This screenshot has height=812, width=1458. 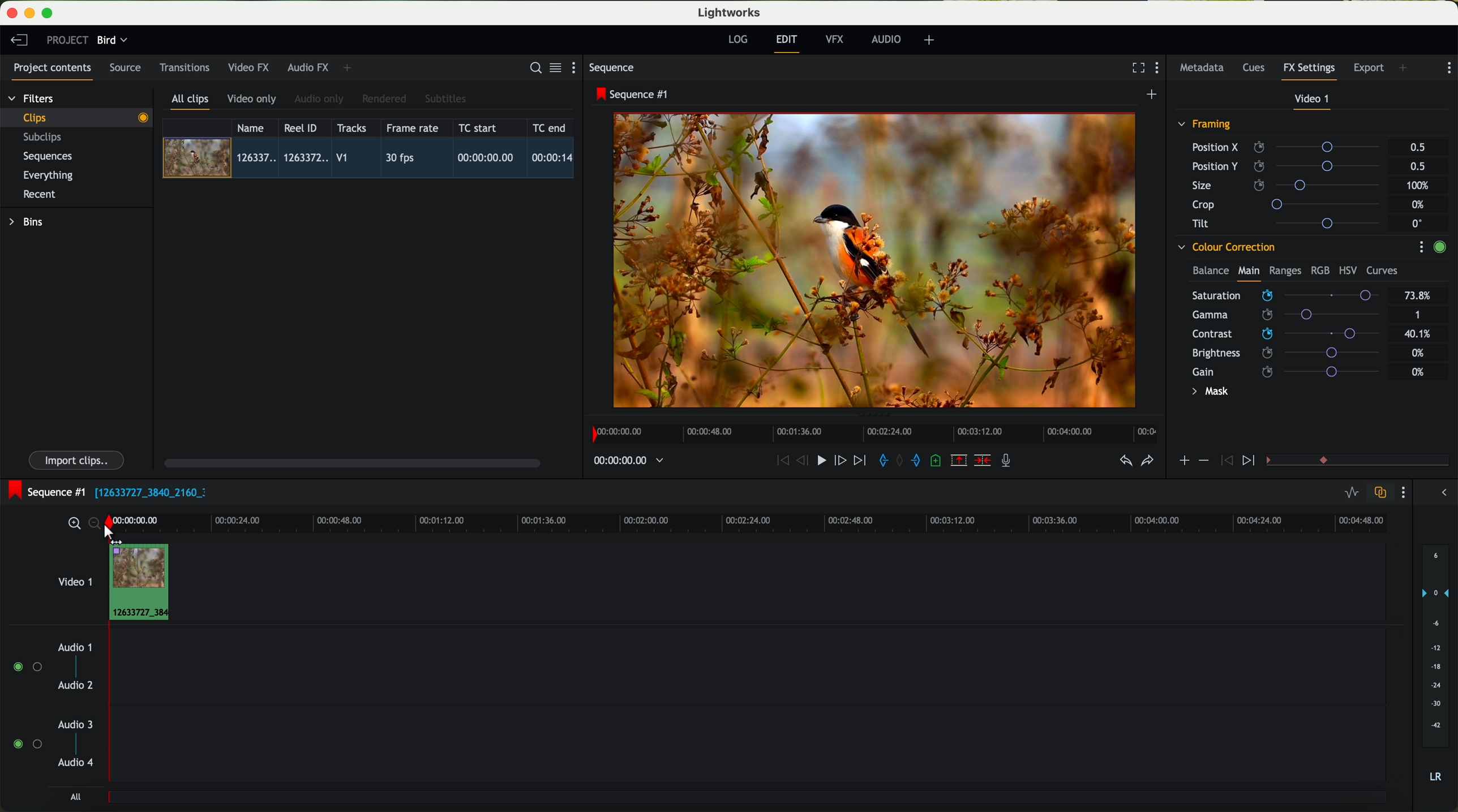 I want to click on metadata, so click(x=1204, y=68).